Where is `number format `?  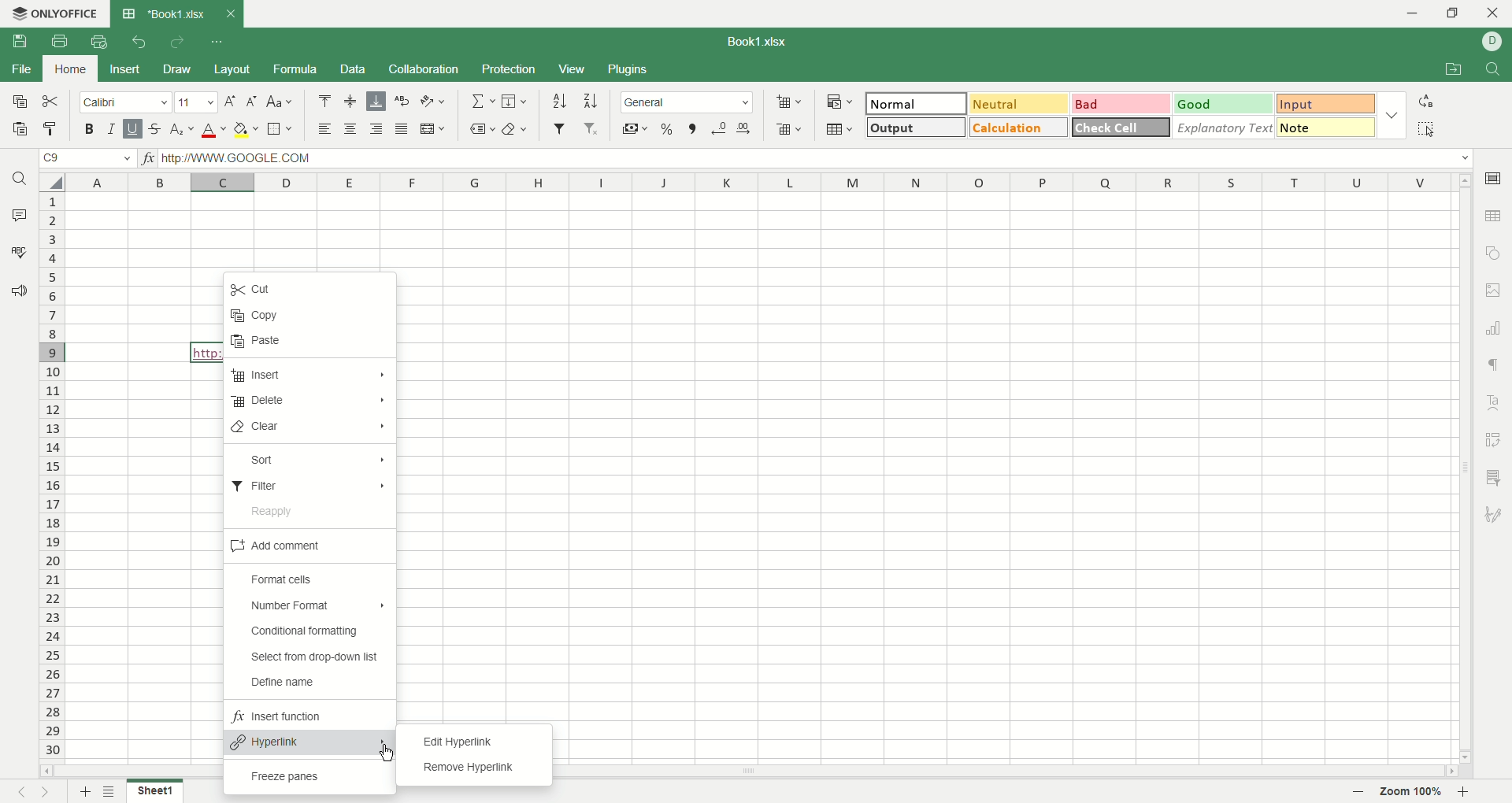
number format  is located at coordinates (311, 602).